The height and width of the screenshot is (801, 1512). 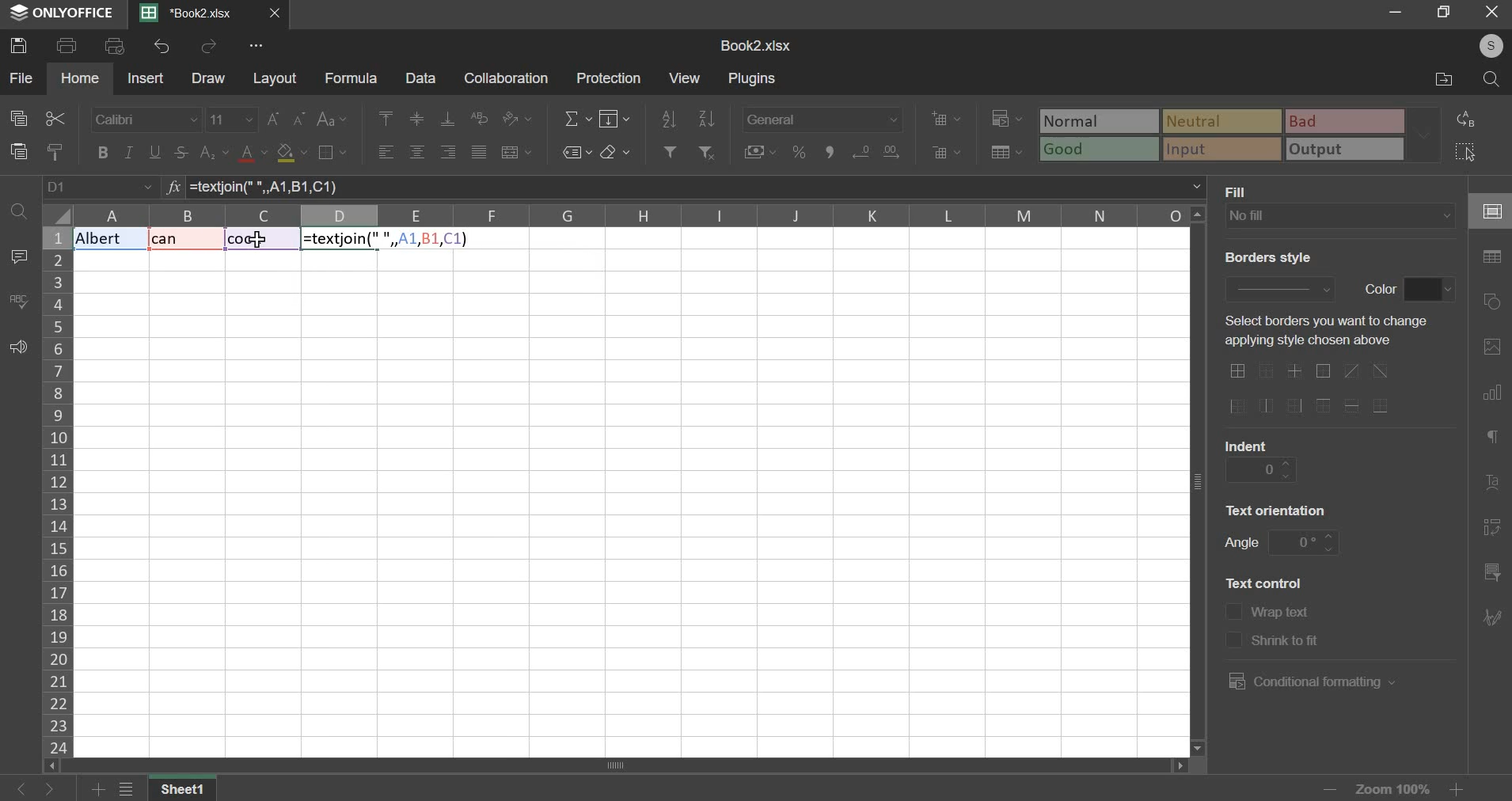 What do you see at coordinates (1495, 302) in the screenshot?
I see `shapes` at bounding box center [1495, 302].